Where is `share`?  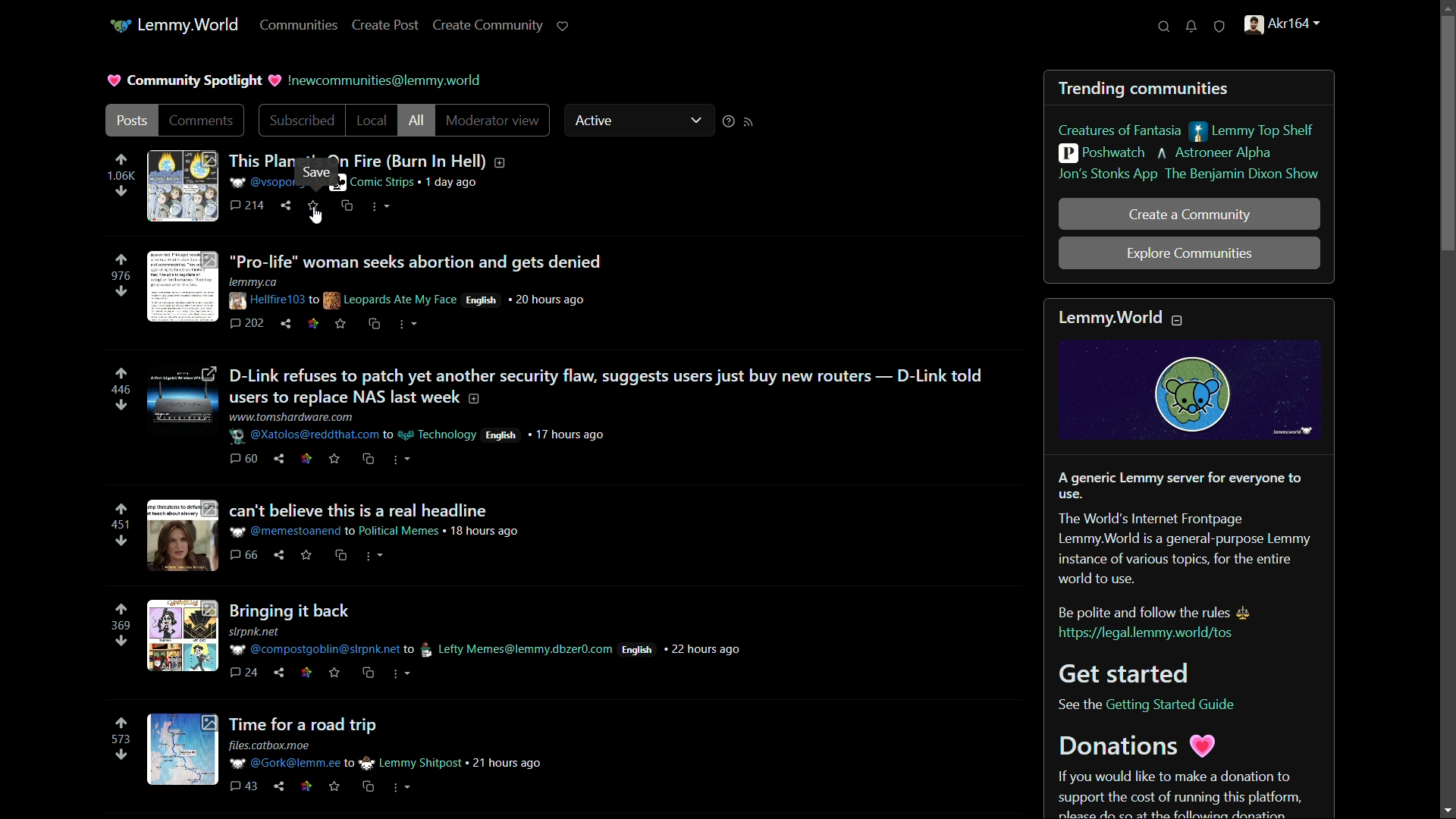
share is located at coordinates (286, 206).